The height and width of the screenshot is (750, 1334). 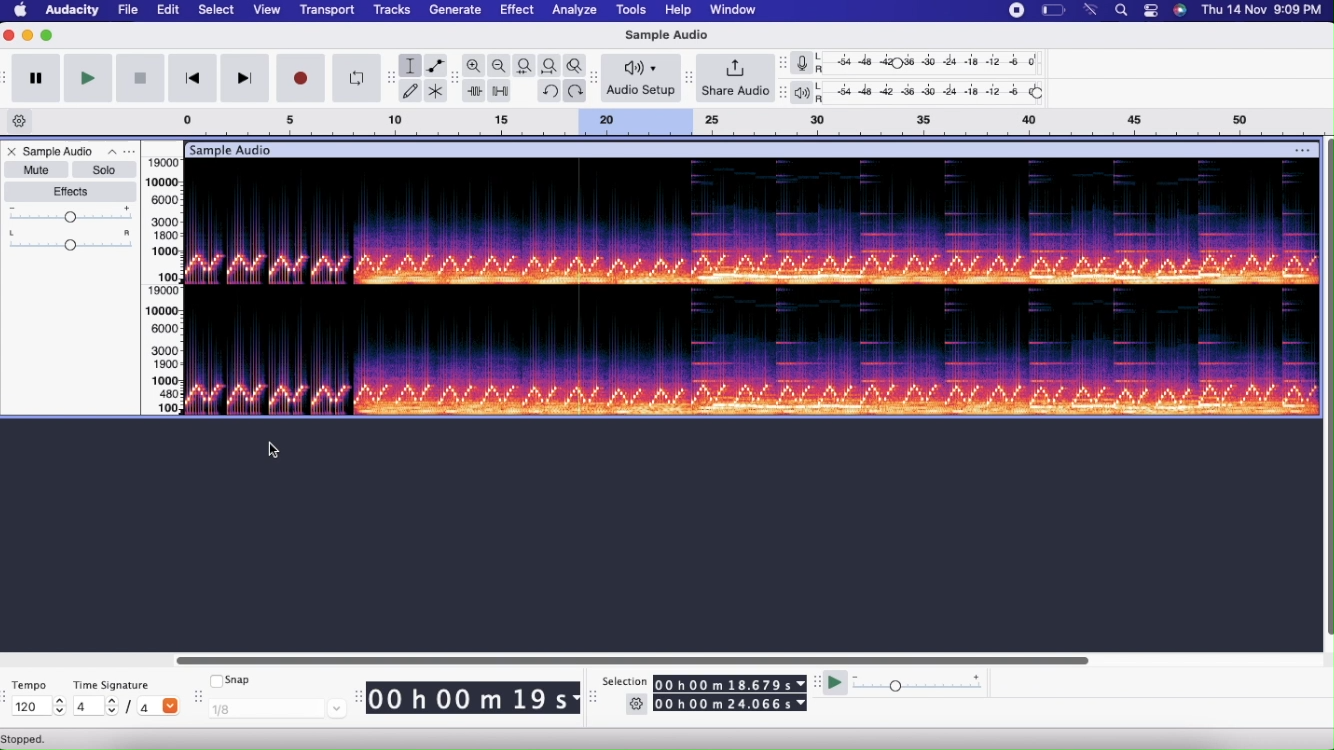 What do you see at coordinates (274, 451) in the screenshot?
I see `cursor` at bounding box center [274, 451].